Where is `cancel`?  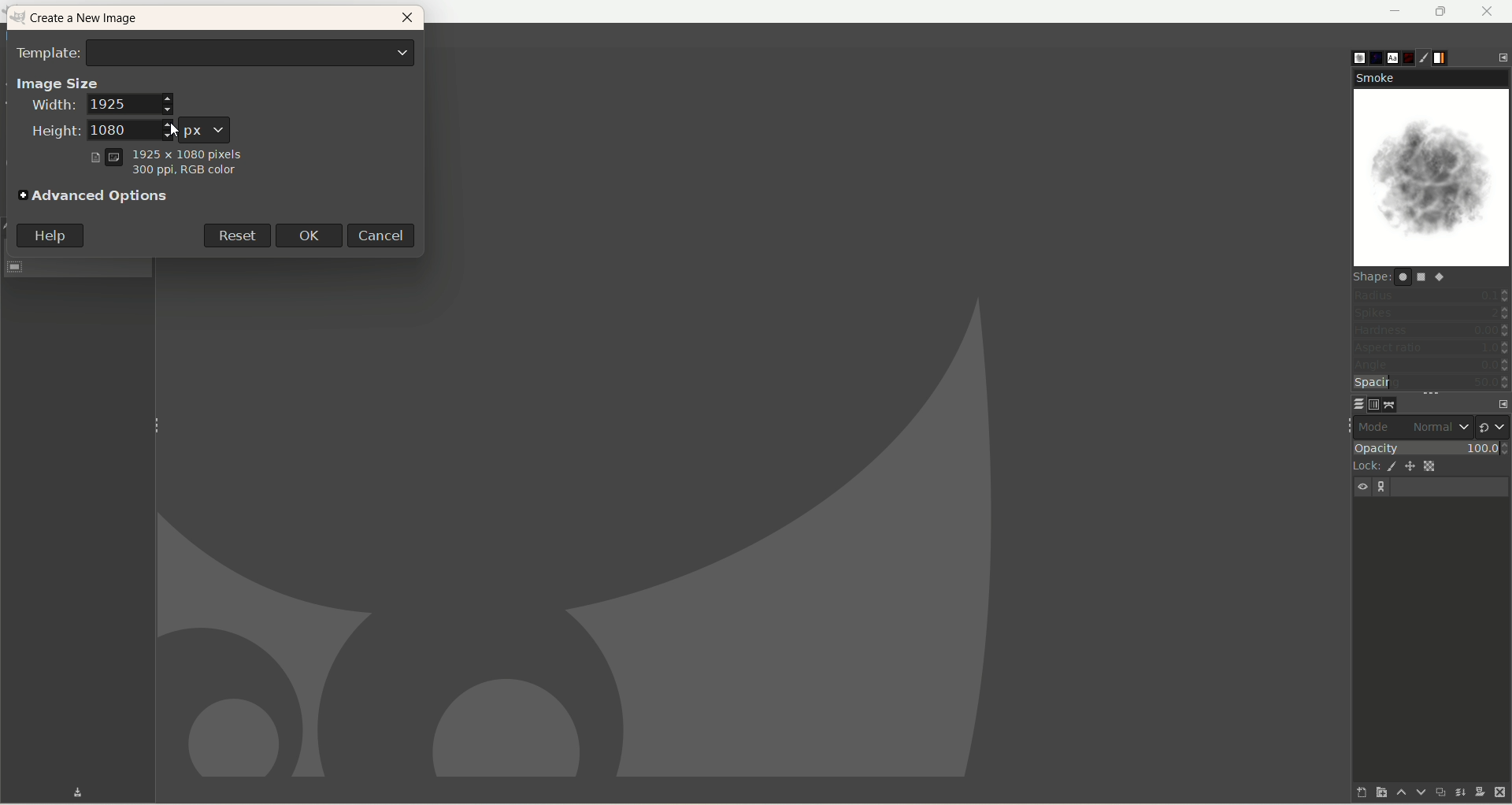
cancel is located at coordinates (385, 235).